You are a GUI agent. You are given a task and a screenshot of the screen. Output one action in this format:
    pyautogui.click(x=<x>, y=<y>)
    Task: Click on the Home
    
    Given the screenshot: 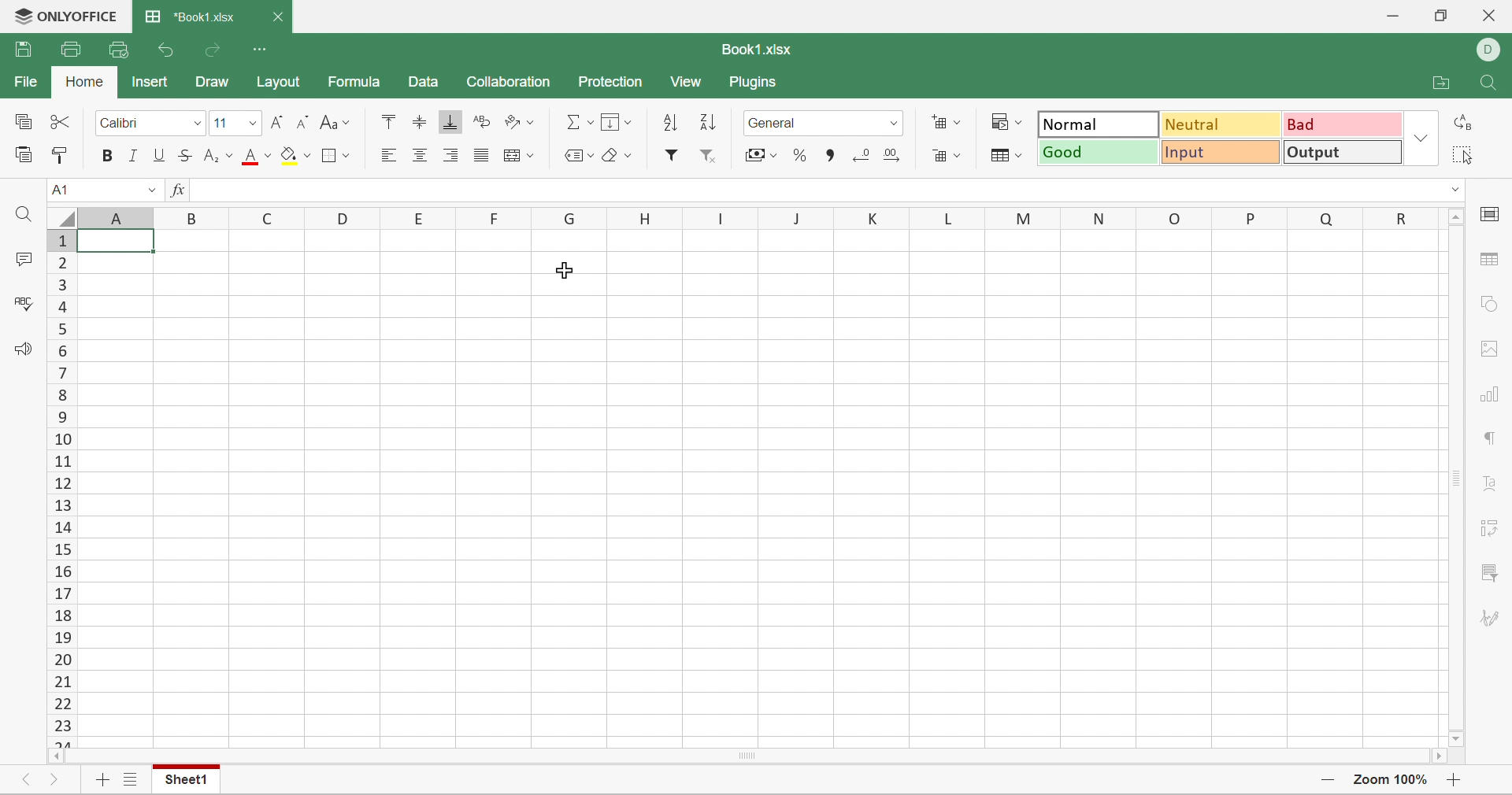 What is the action you would take?
    pyautogui.click(x=84, y=82)
    